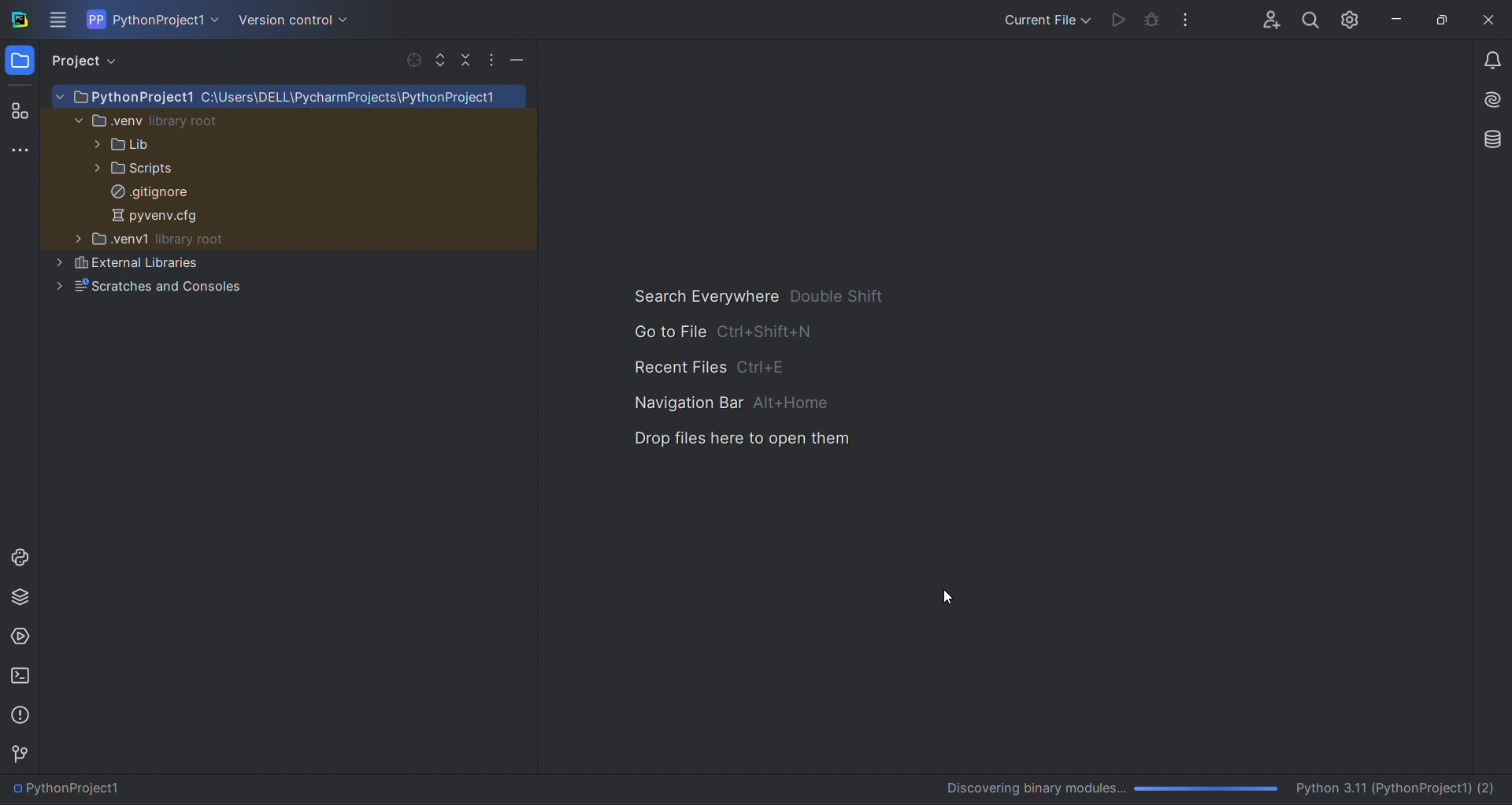 Image resolution: width=1512 pixels, height=805 pixels. What do you see at coordinates (19, 109) in the screenshot?
I see `structure` at bounding box center [19, 109].